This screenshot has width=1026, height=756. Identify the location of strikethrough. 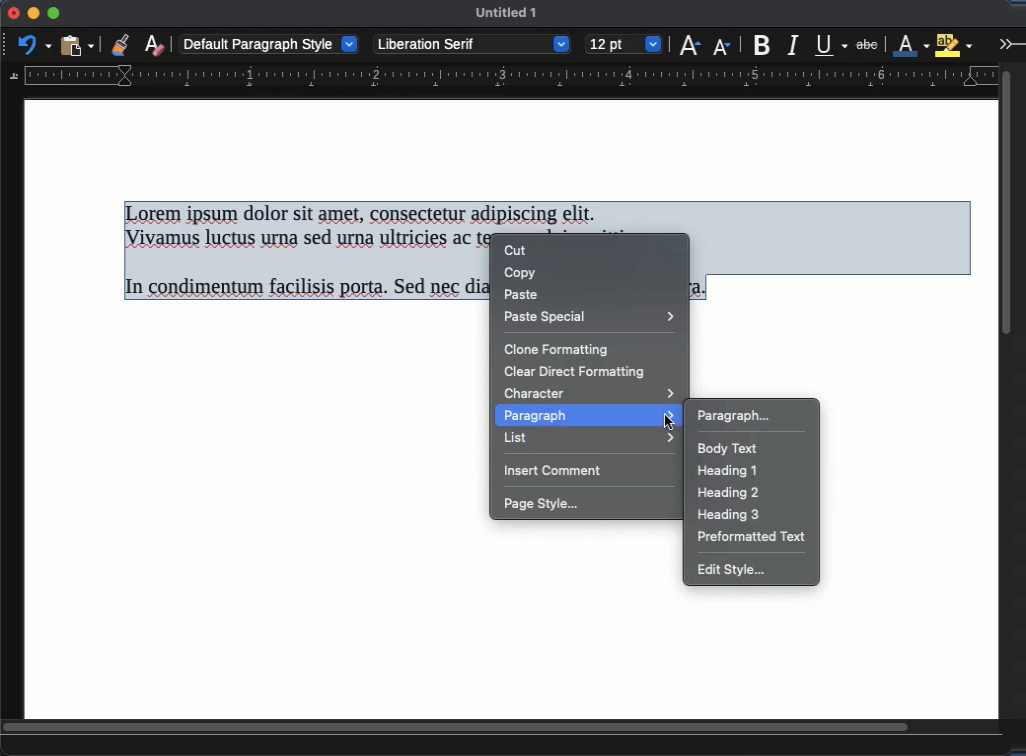
(867, 45).